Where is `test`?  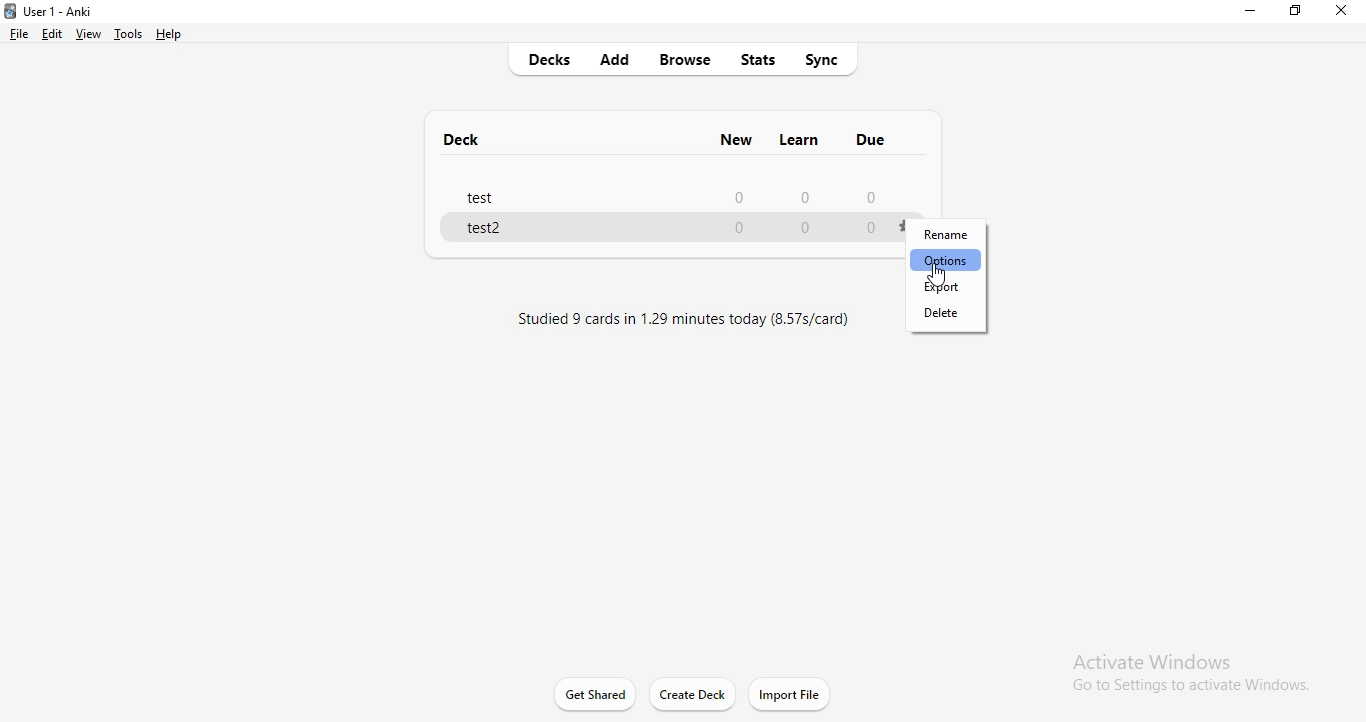
test is located at coordinates (484, 199).